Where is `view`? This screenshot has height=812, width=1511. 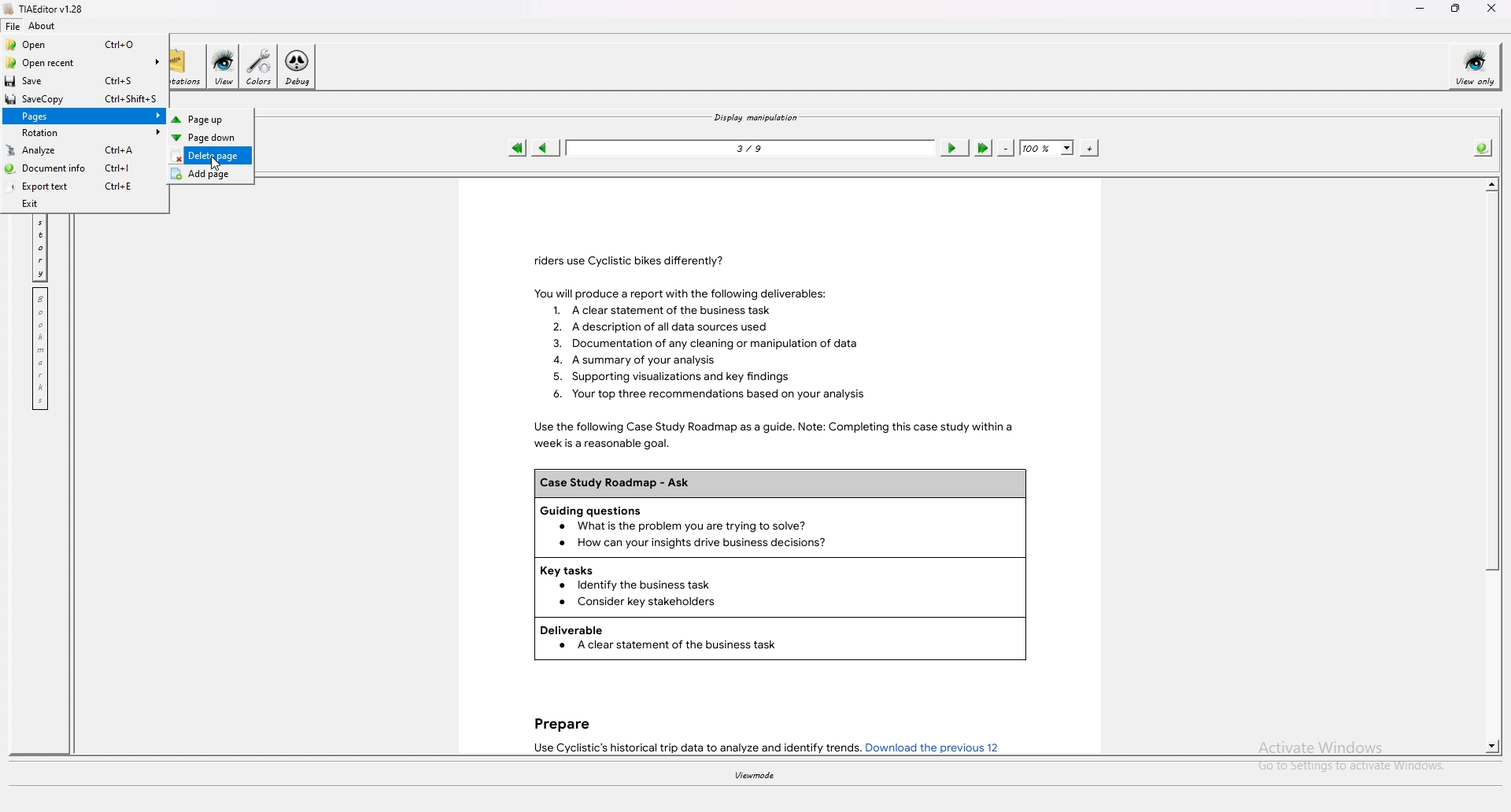 view is located at coordinates (223, 67).